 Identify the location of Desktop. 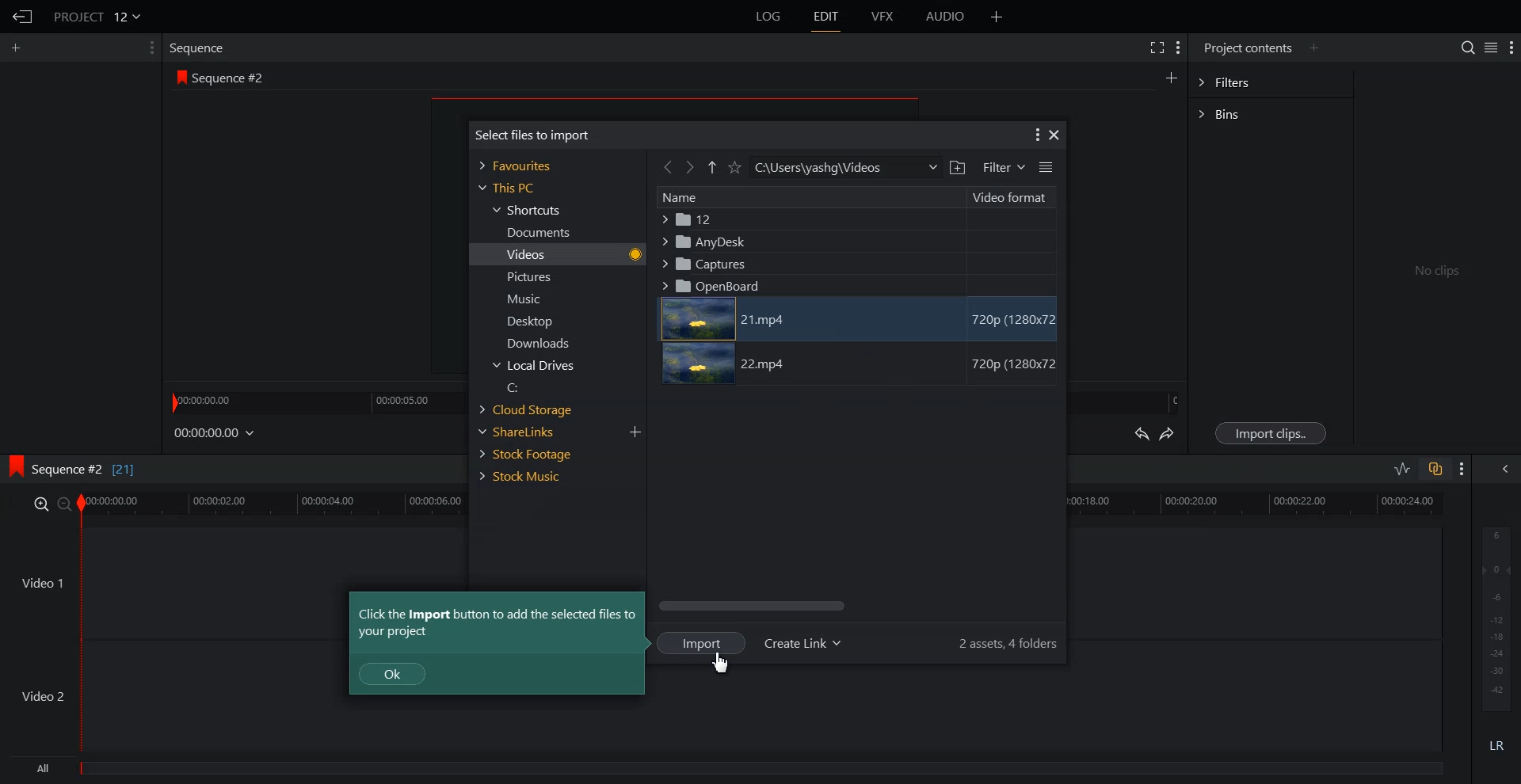
(536, 321).